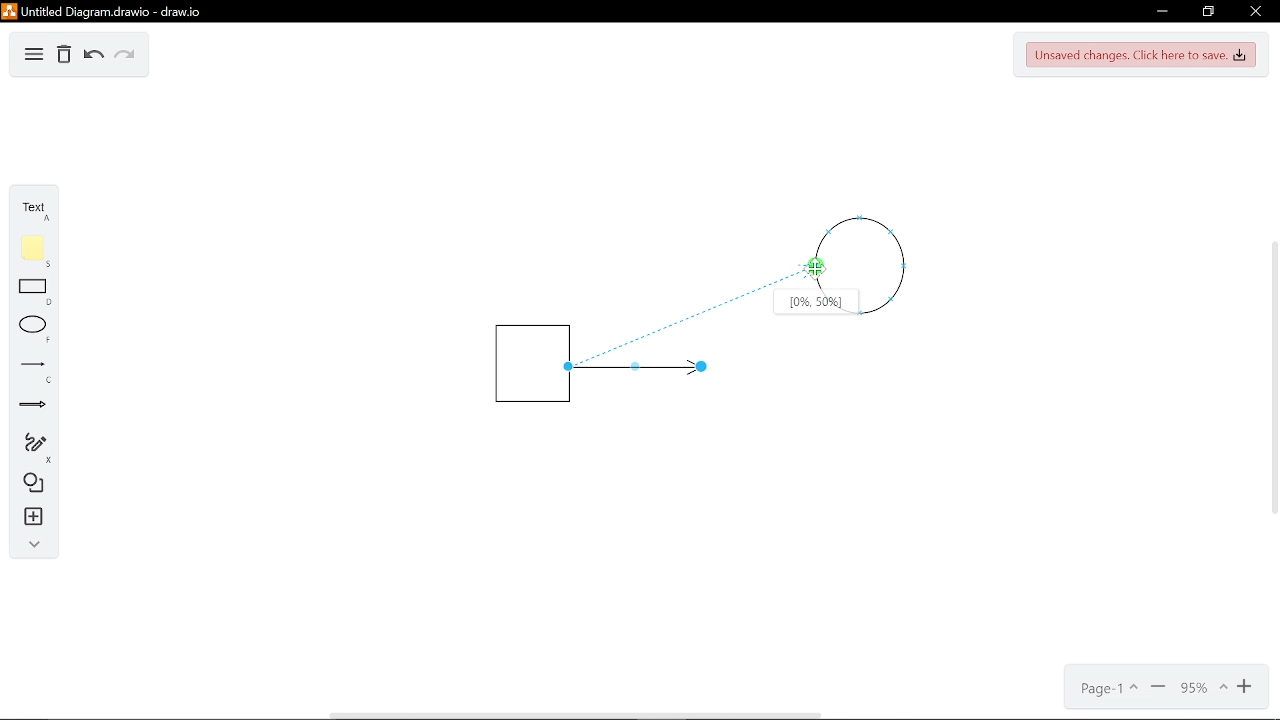  Describe the element at coordinates (1141, 54) in the screenshot. I see `Save changes` at that location.